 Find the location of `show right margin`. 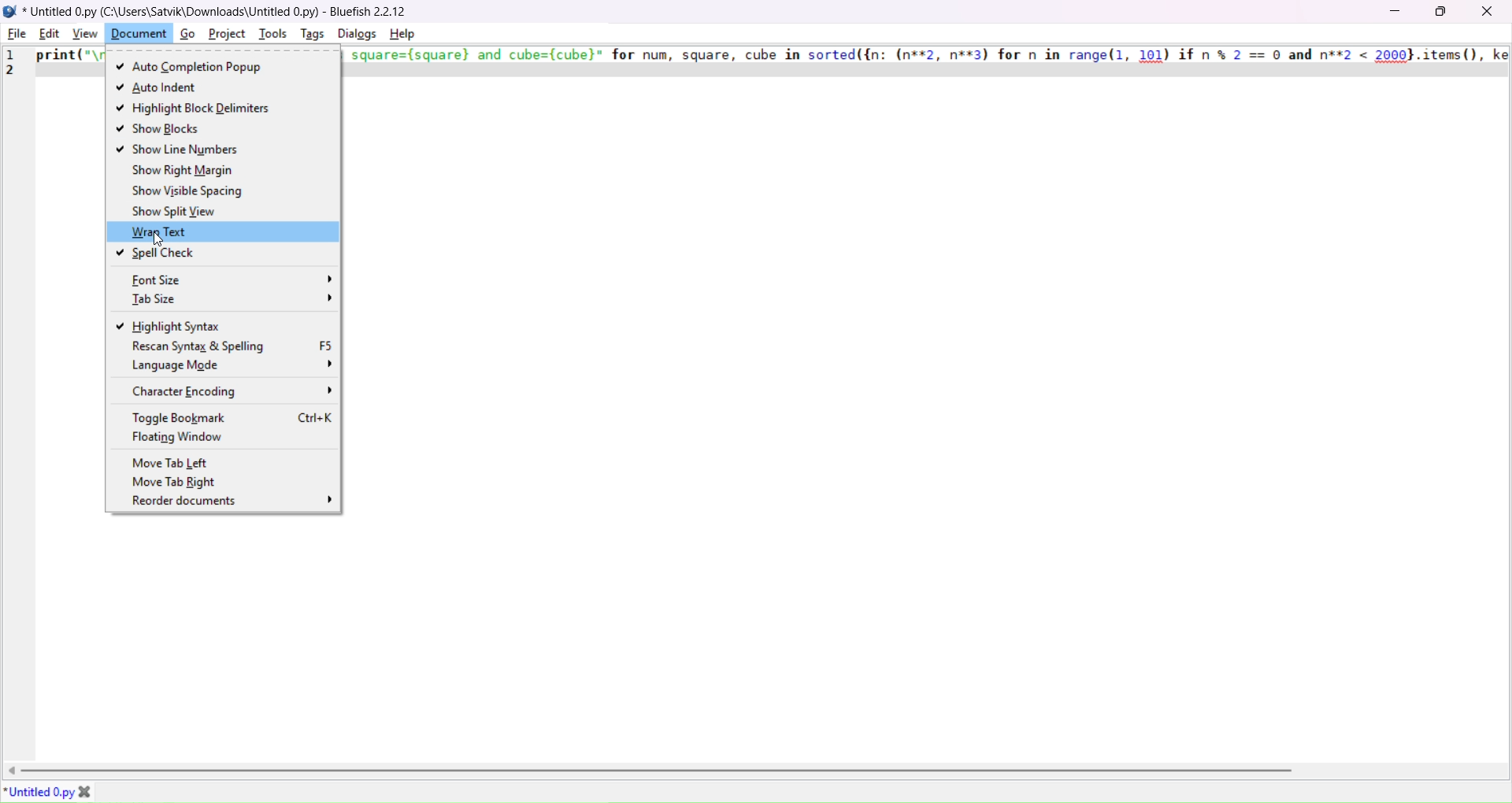

show right margin is located at coordinates (180, 170).